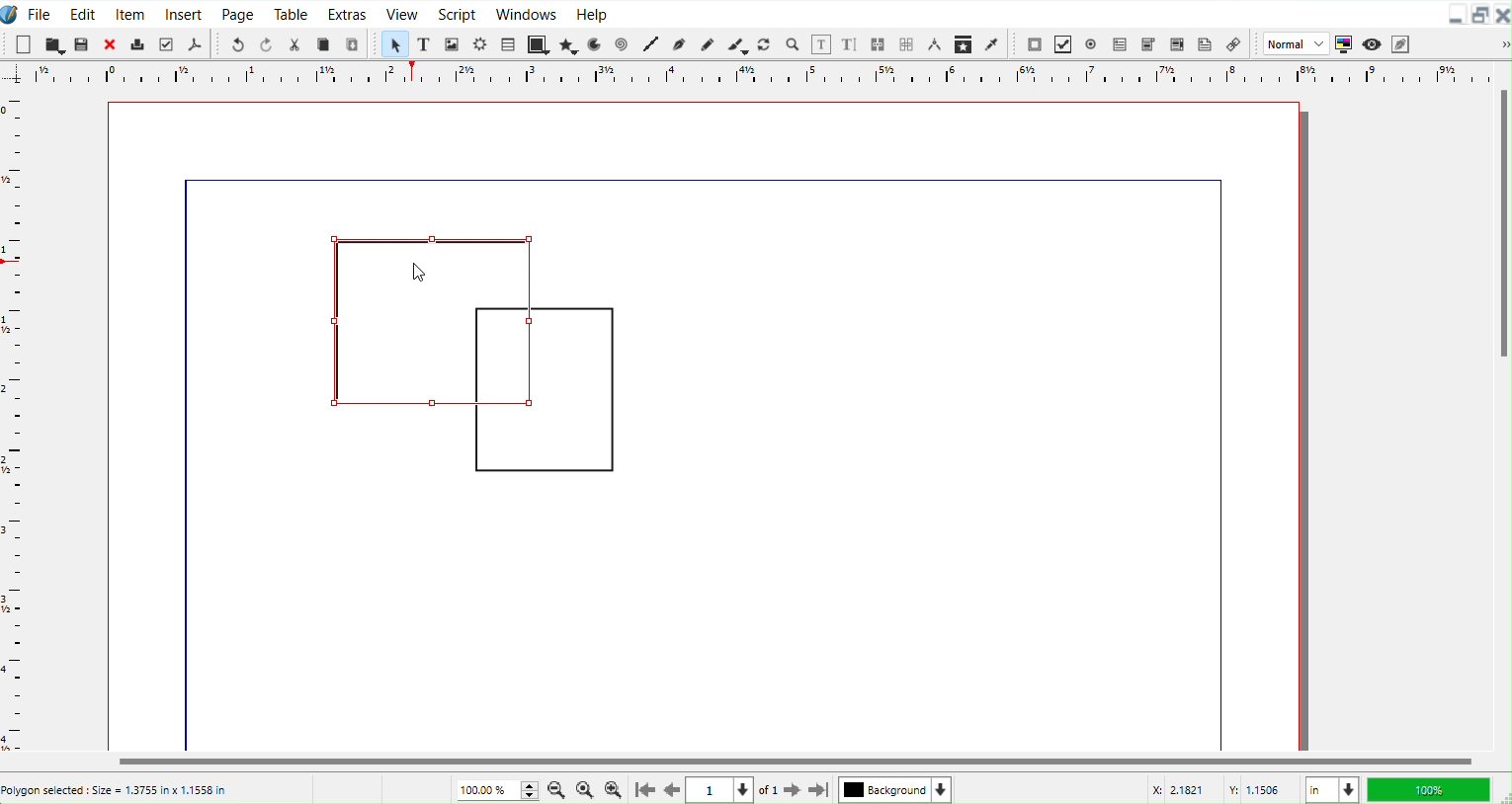 The height and width of the screenshot is (804, 1512). I want to click on Paste, so click(354, 43).